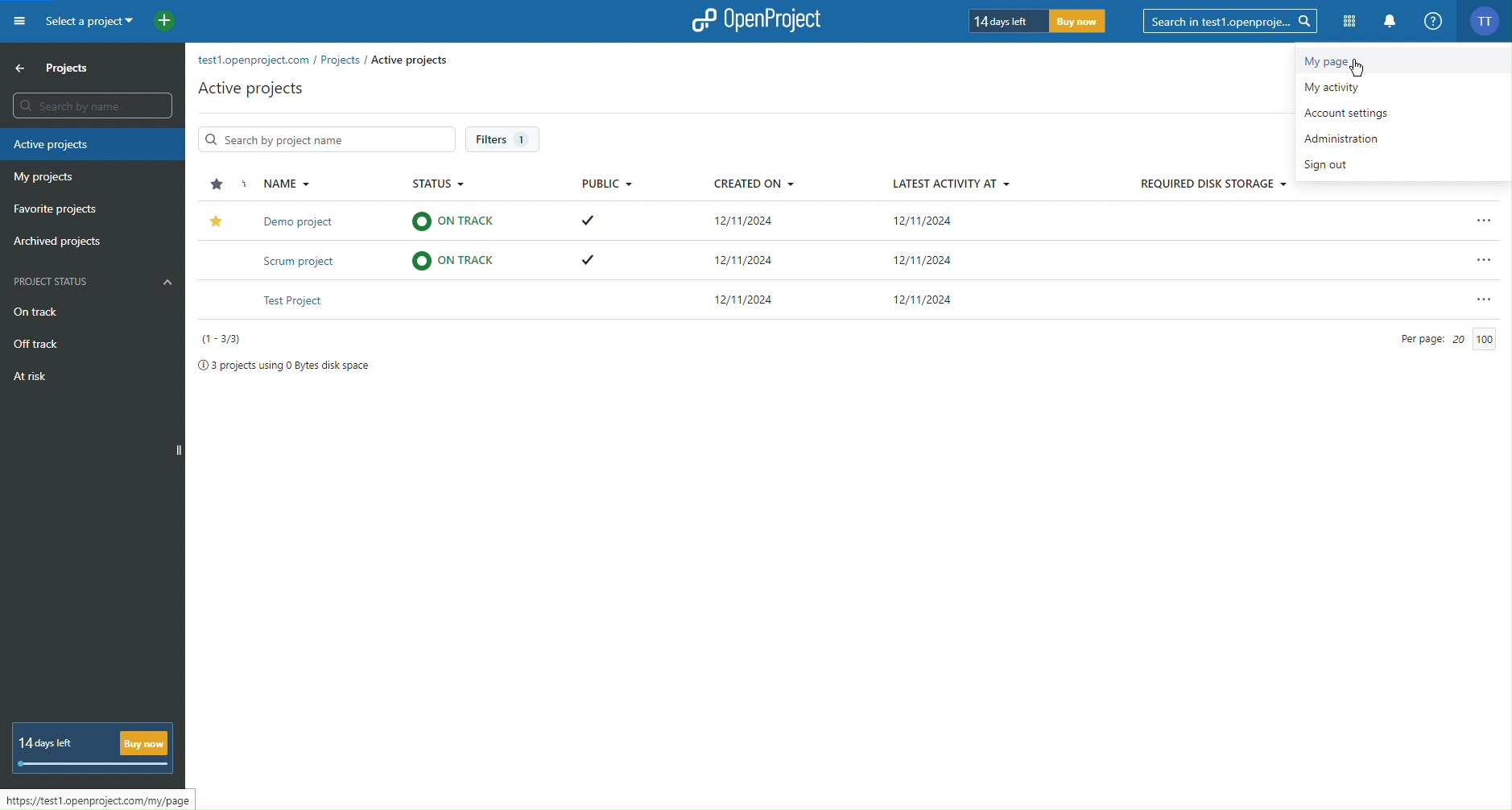 This screenshot has width=1512, height=810. I want to click on test1.openproject.com/Projects/Active Projects, so click(321, 60).